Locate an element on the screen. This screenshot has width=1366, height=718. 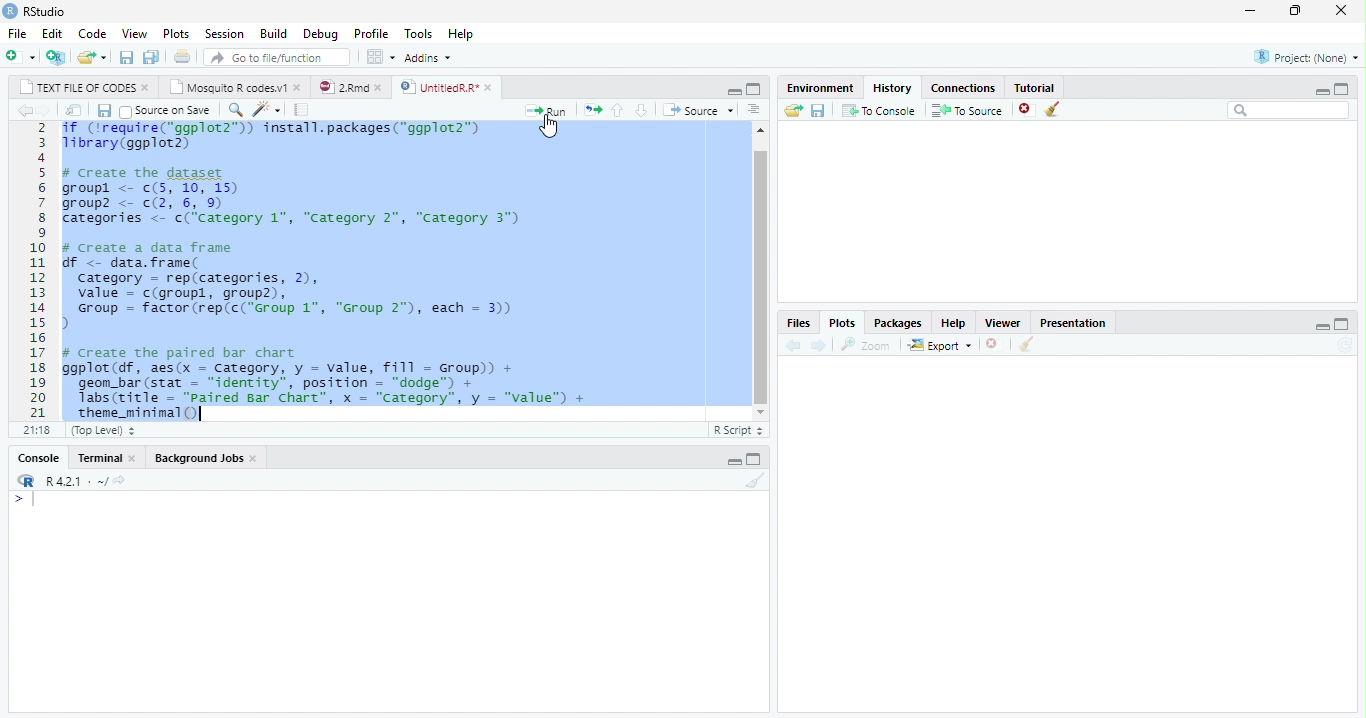
save history  is located at coordinates (817, 110).